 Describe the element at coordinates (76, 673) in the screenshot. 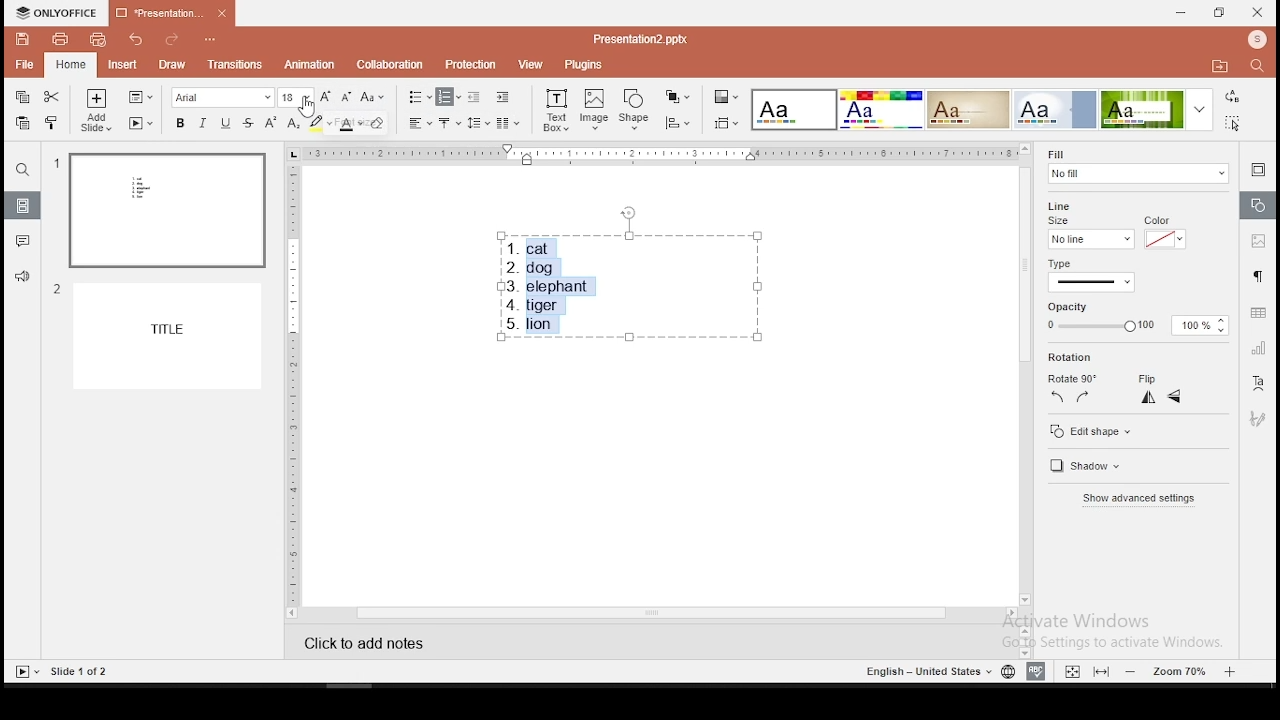

I see `slide 1 of 2` at that location.